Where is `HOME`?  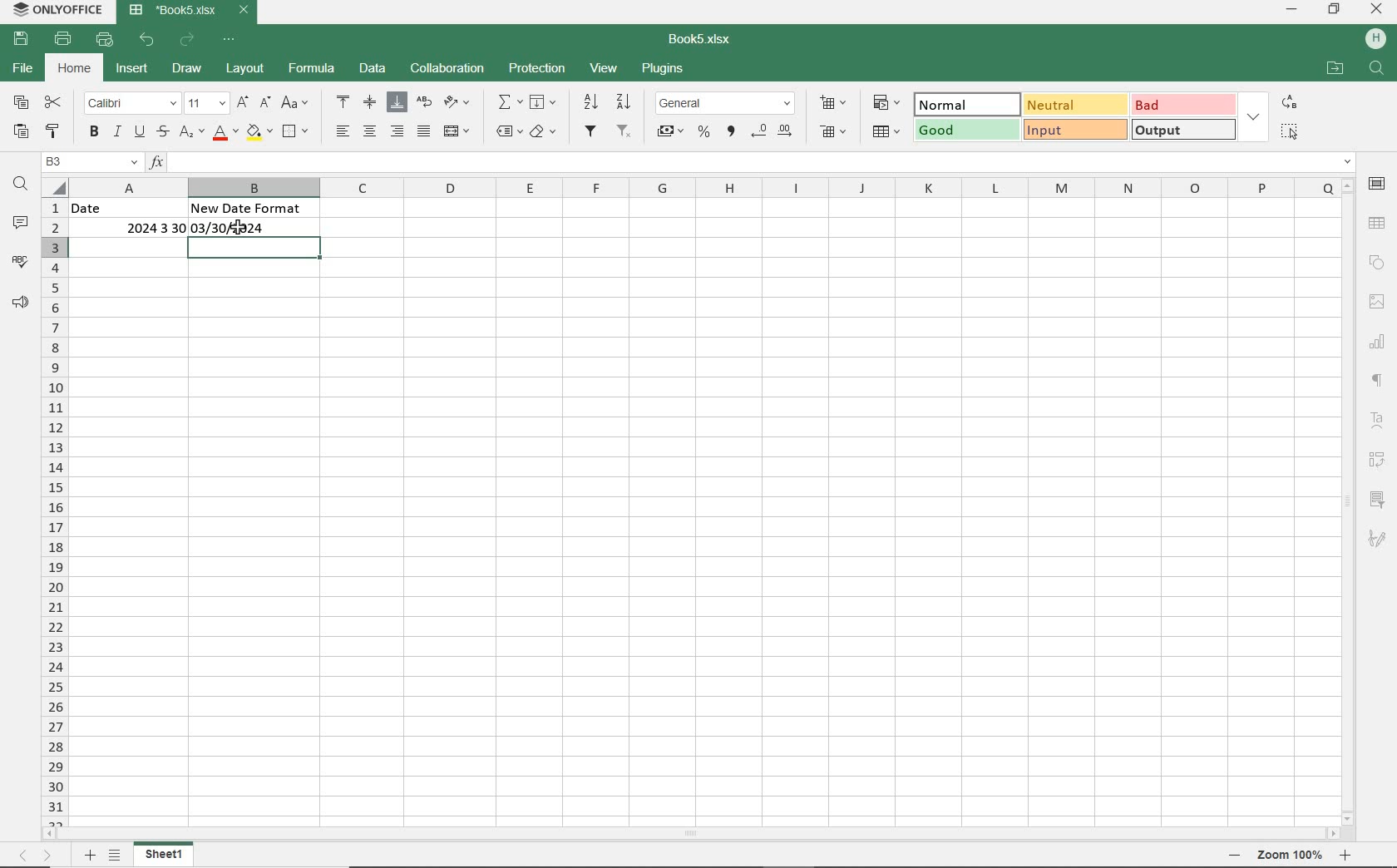
HOME is located at coordinates (77, 67).